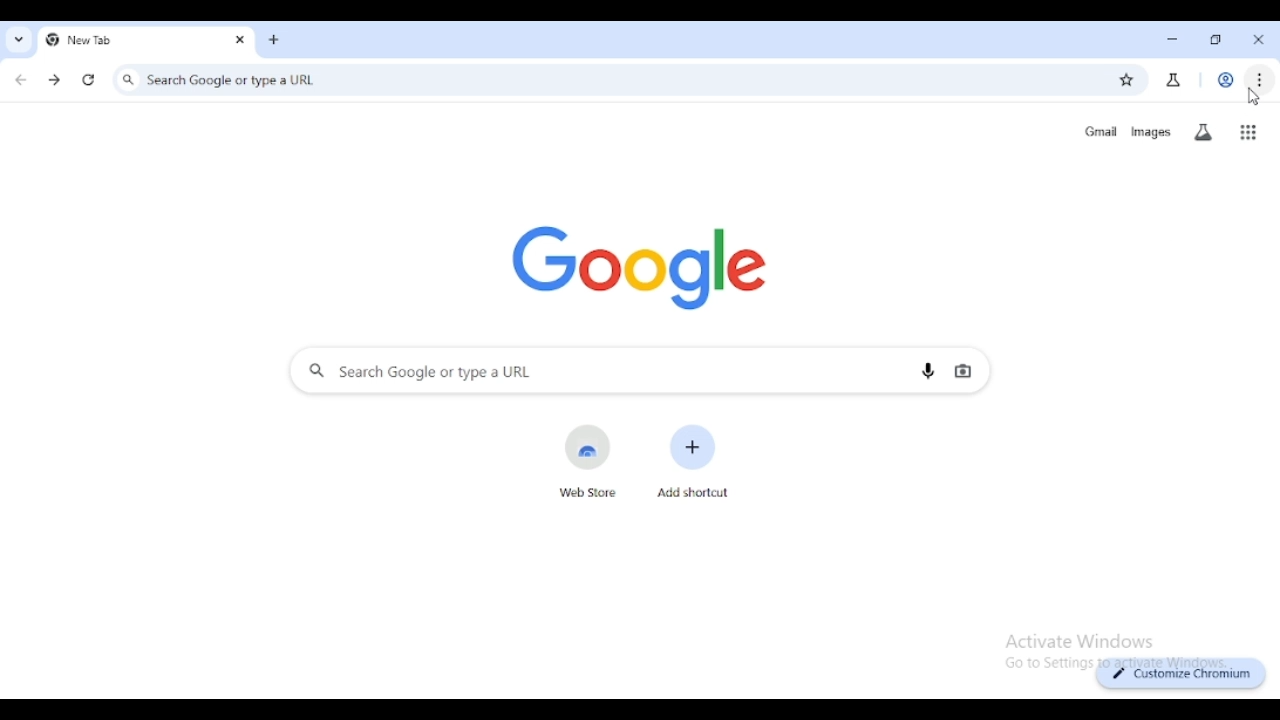 Image resolution: width=1280 pixels, height=720 pixels. I want to click on chrome labs, so click(1173, 80).